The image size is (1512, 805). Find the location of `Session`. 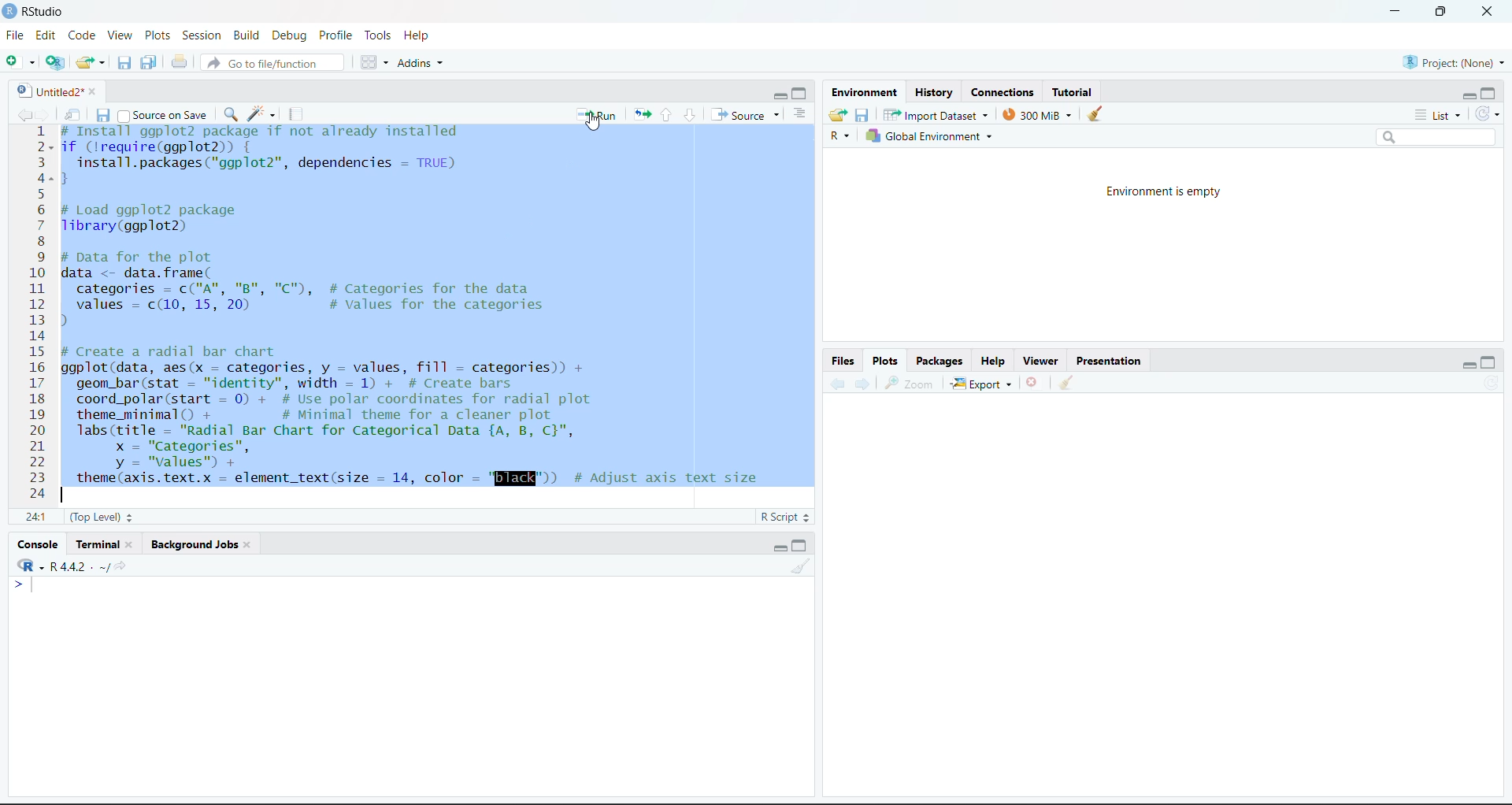

Session is located at coordinates (201, 35).